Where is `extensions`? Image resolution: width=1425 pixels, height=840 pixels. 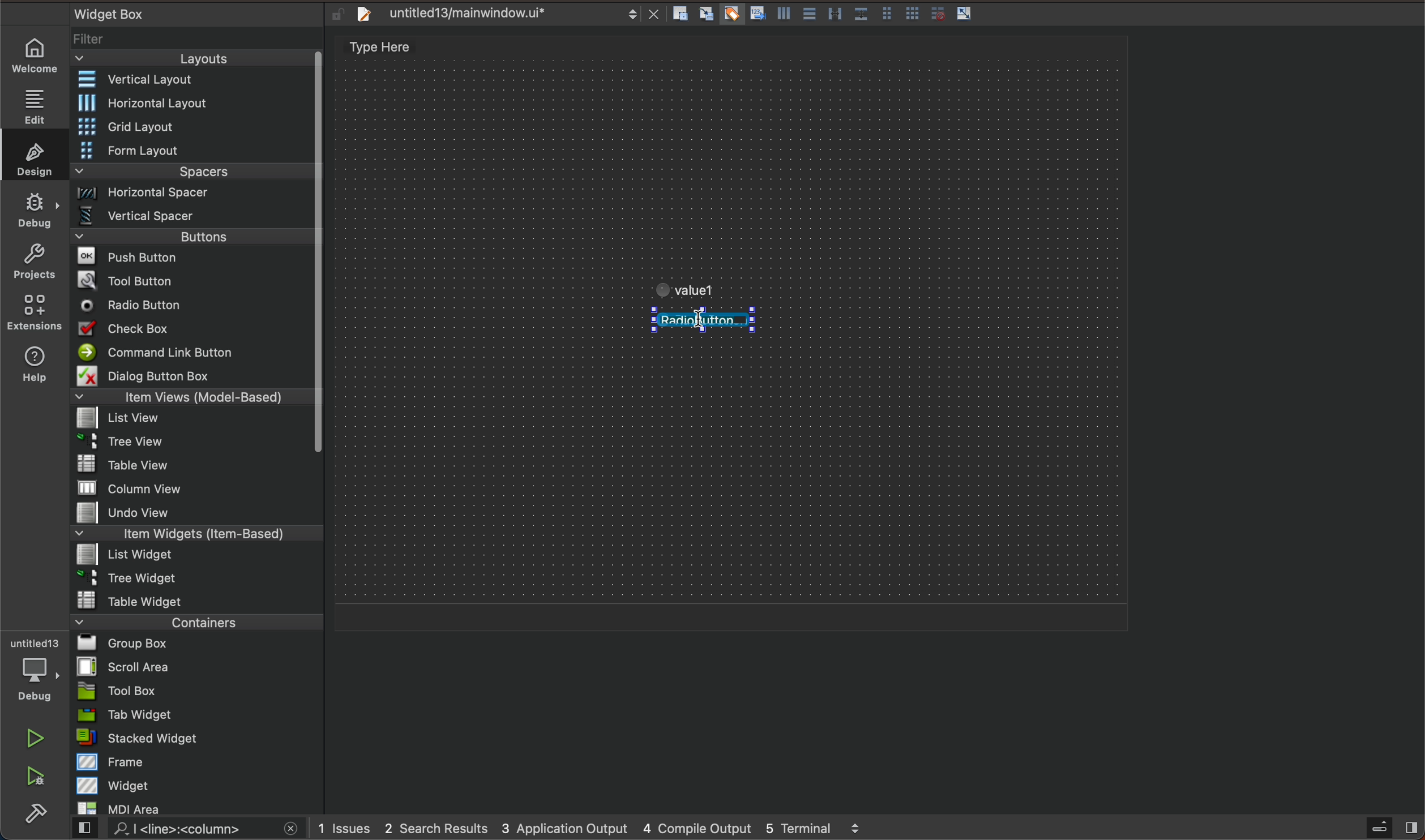 extensions is located at coordinates (33, 312).